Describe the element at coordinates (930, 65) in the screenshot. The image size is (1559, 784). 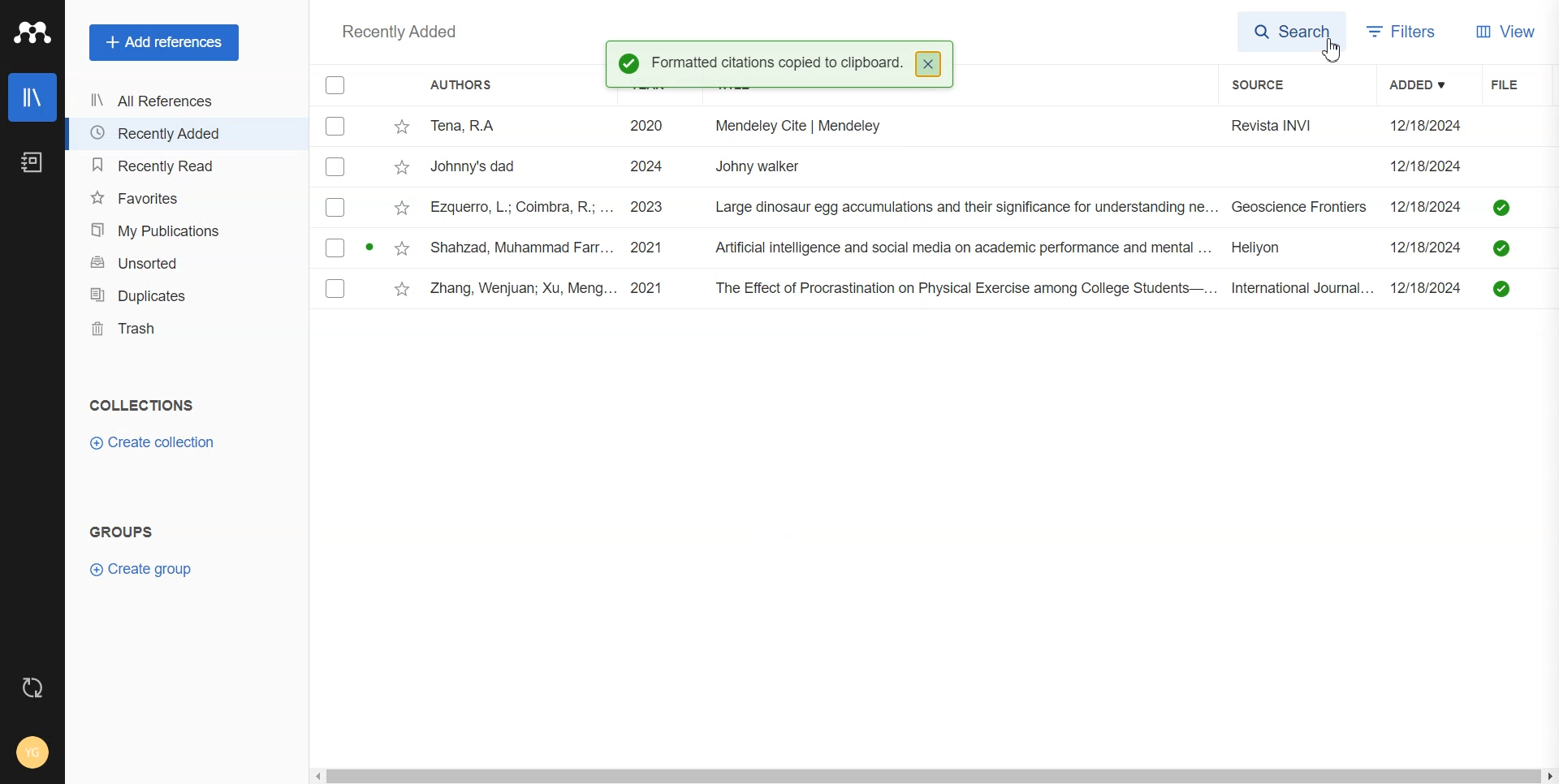
I see `close` at that location.